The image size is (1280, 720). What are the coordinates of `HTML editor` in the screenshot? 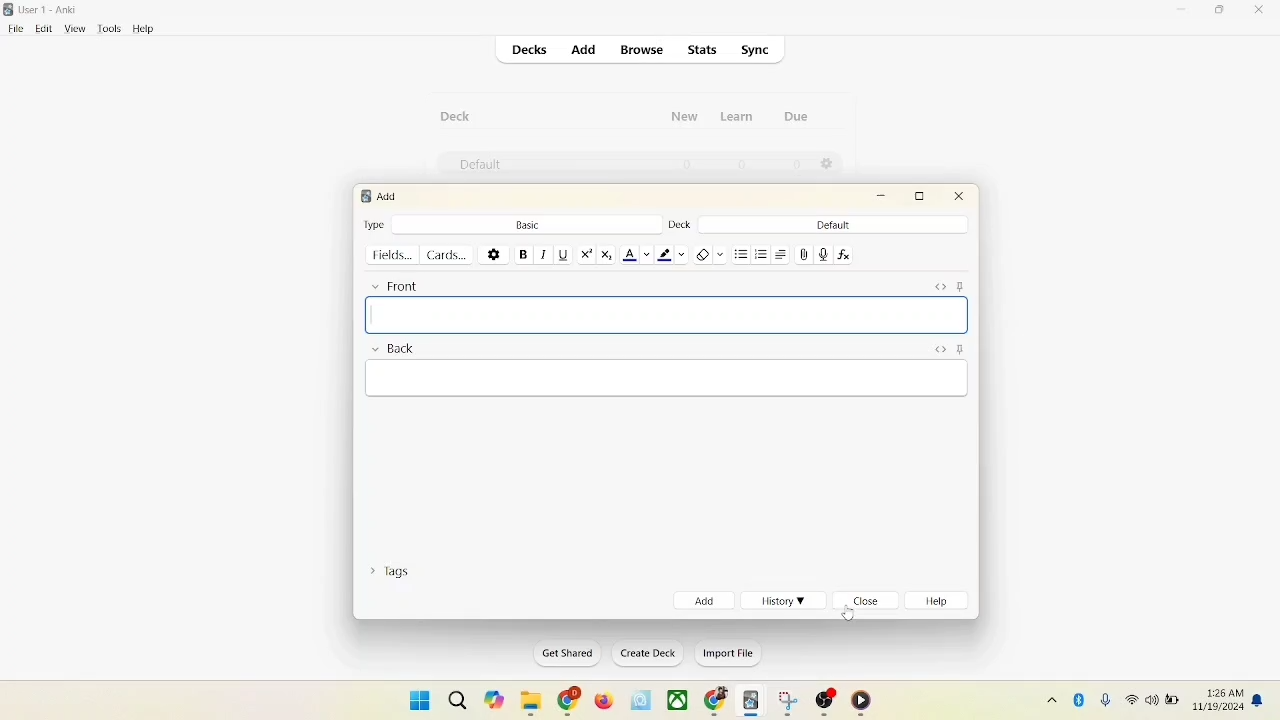 It's located at (938, 348).